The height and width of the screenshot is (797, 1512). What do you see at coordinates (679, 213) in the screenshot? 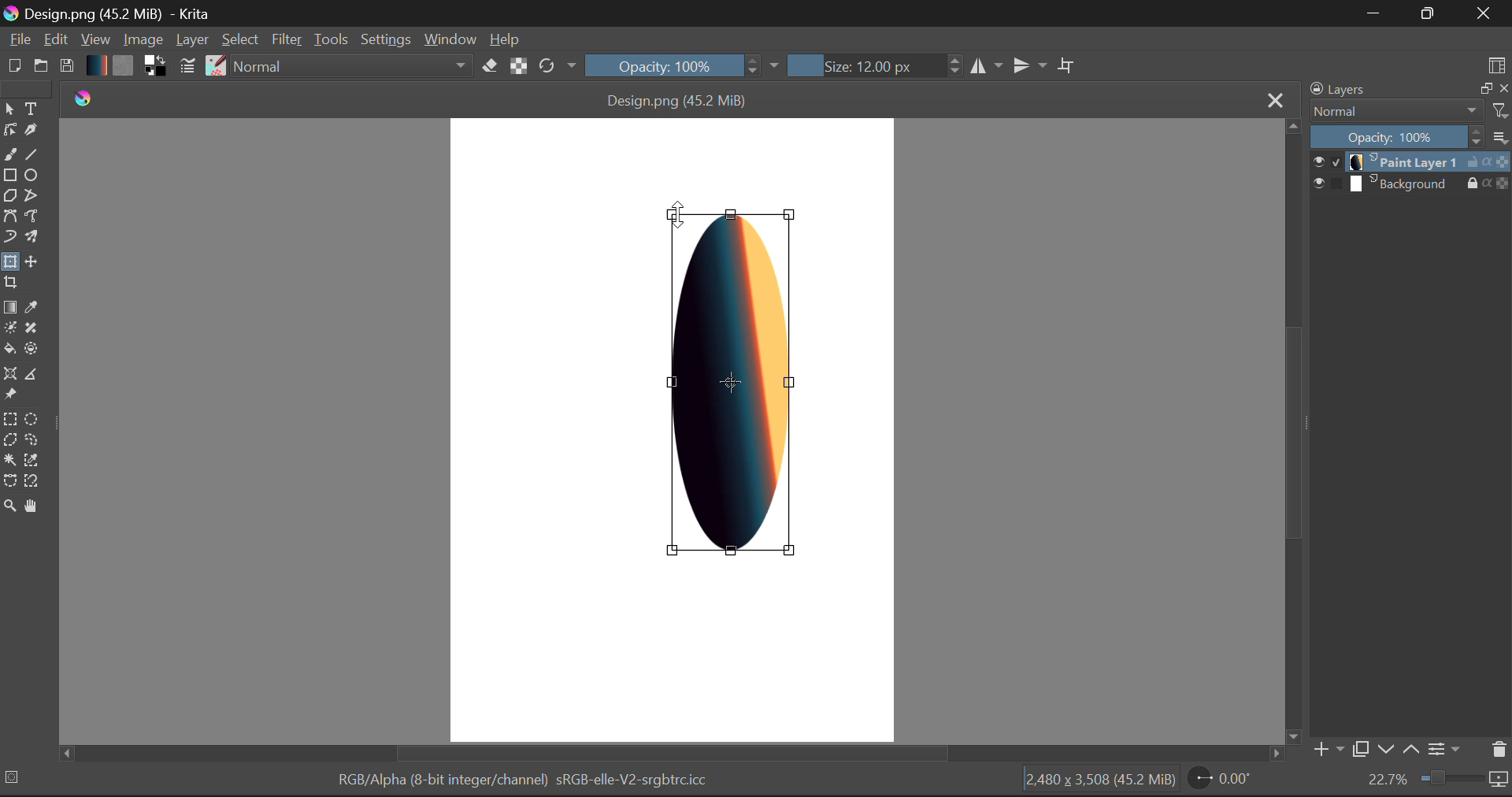
I see `Cursor Position AFTER_LAST_ACTION` at bounding box center [679, 213].